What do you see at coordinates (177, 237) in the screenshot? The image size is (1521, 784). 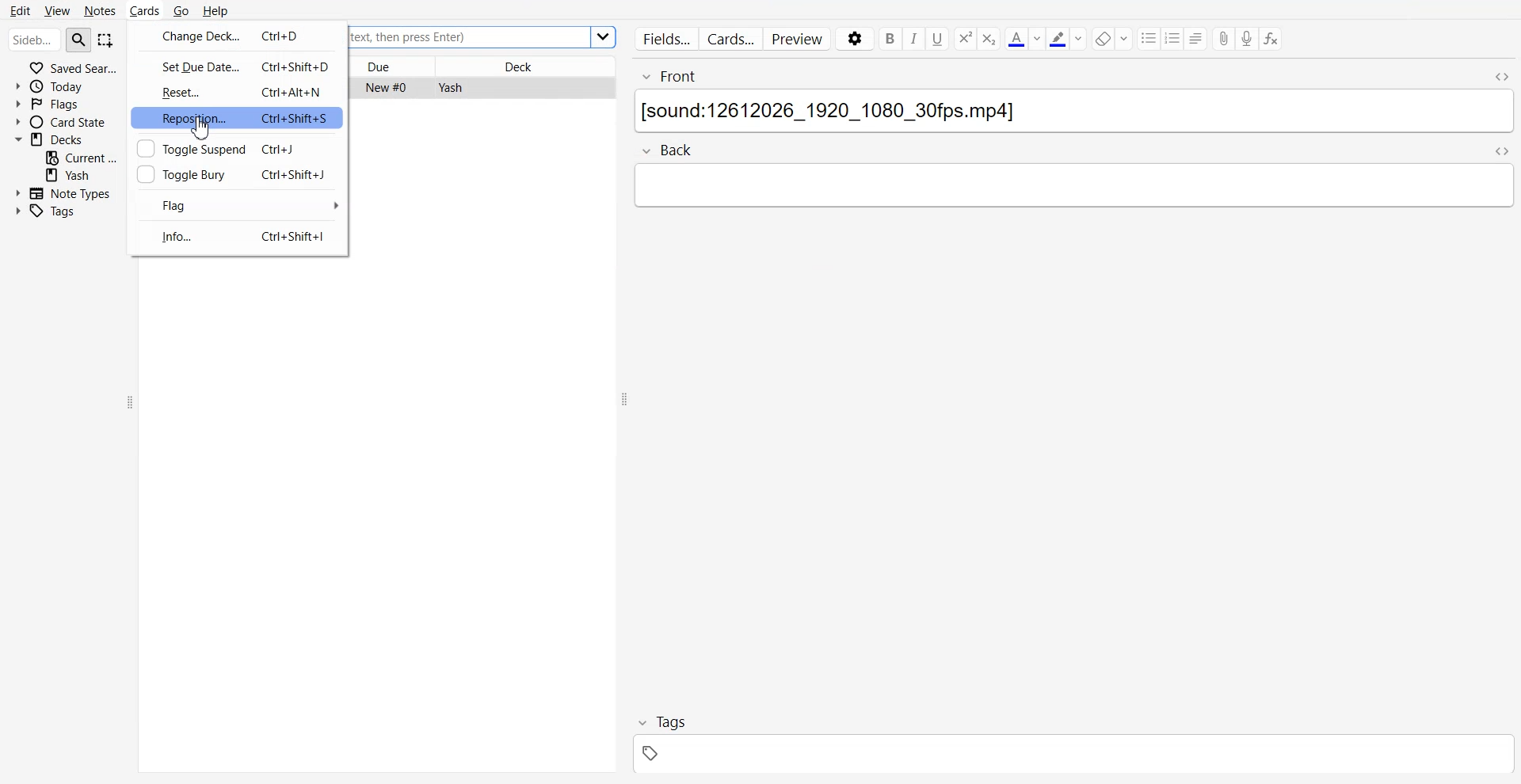 I see `Info` at bounding box center [177, 237].